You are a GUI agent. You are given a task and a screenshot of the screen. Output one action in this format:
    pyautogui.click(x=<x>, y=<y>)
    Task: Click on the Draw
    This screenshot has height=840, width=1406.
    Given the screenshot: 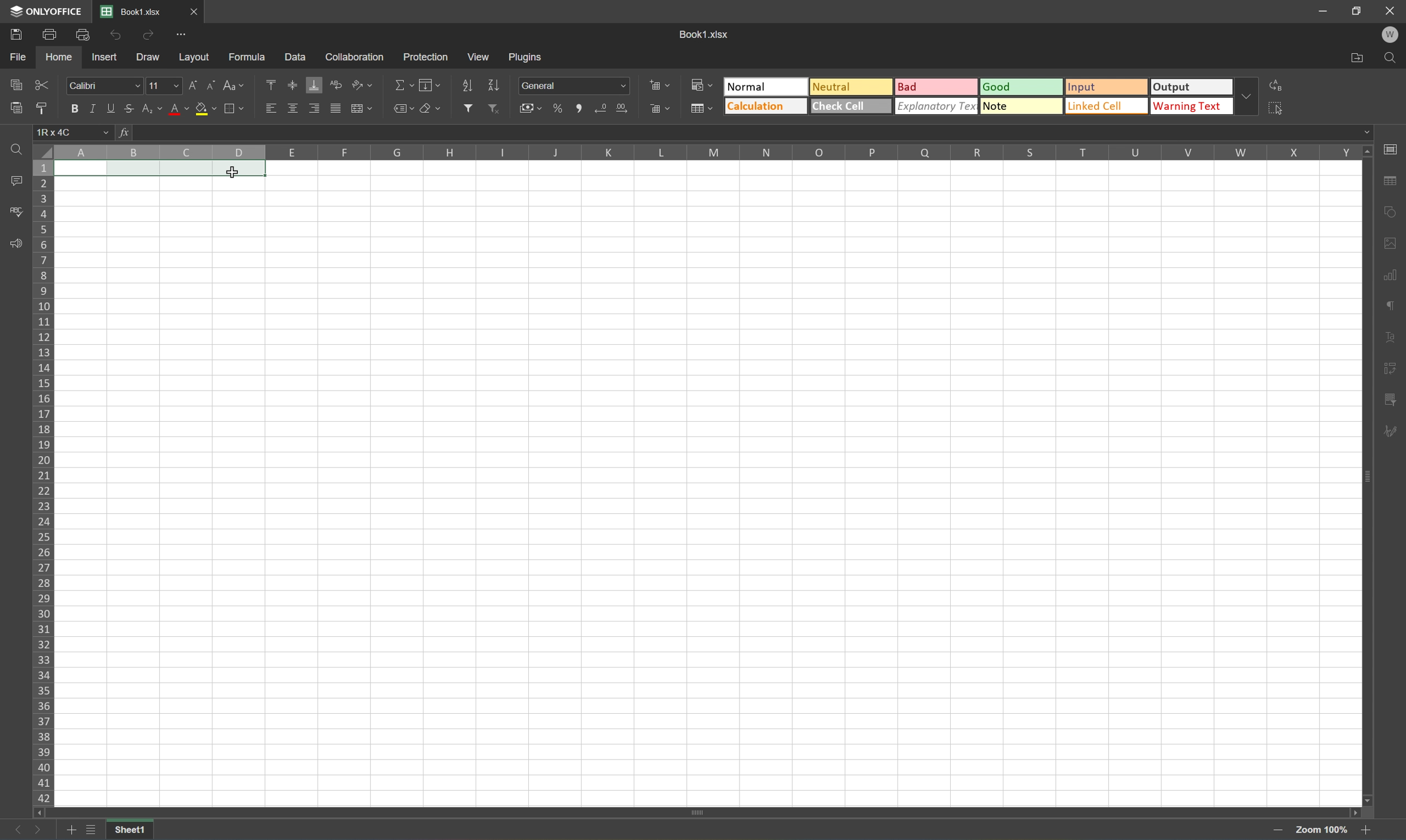 What is the action you would take?
    pyautogui.click(x=149, y=59)
    